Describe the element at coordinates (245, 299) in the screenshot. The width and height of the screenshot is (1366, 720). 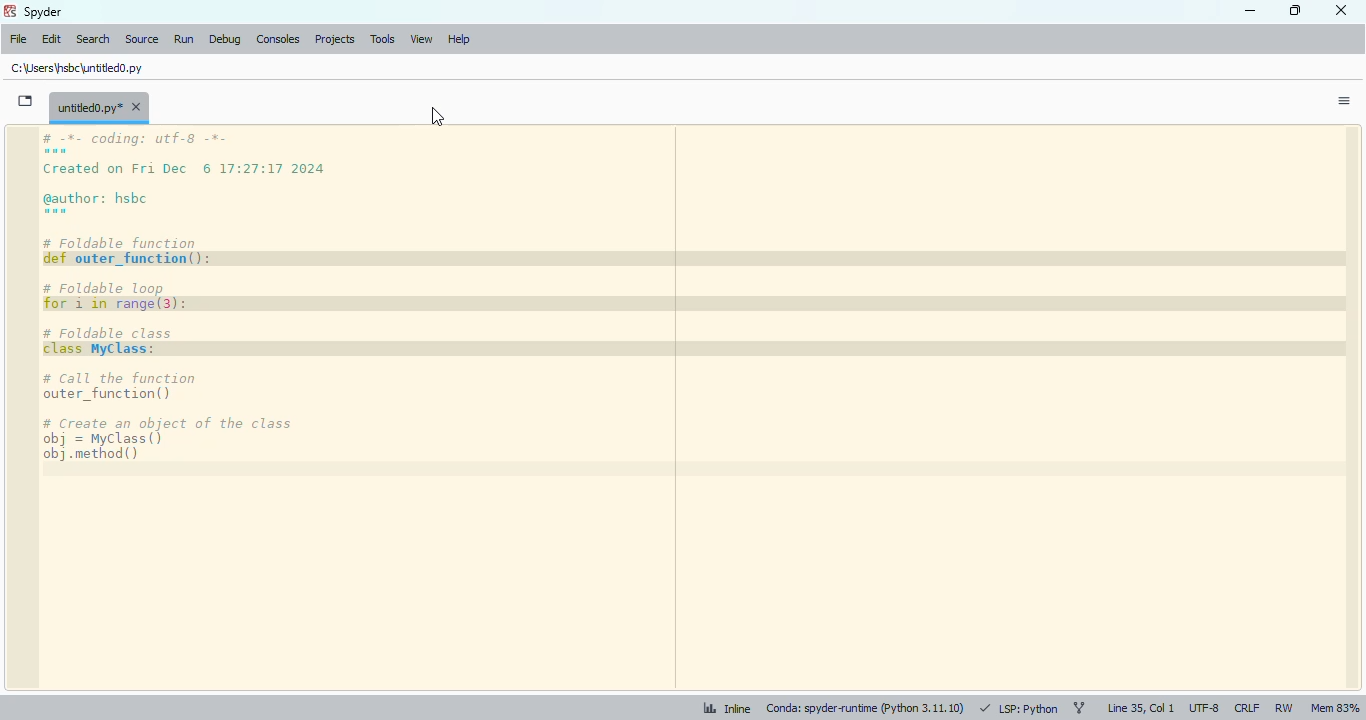
I see `code ` at that location.